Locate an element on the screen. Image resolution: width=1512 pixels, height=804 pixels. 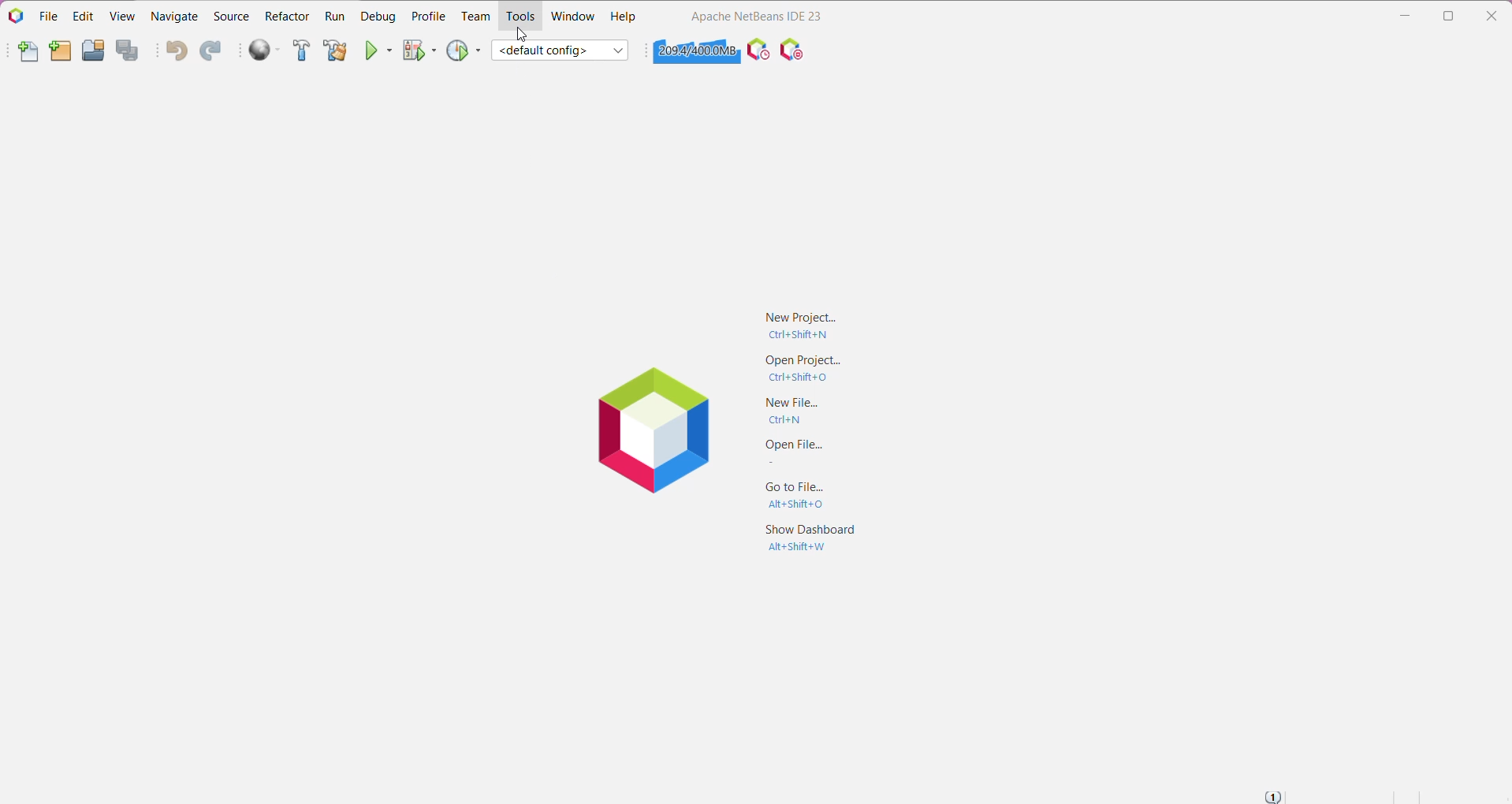
Debug Project is located at coordinates (420, 50).